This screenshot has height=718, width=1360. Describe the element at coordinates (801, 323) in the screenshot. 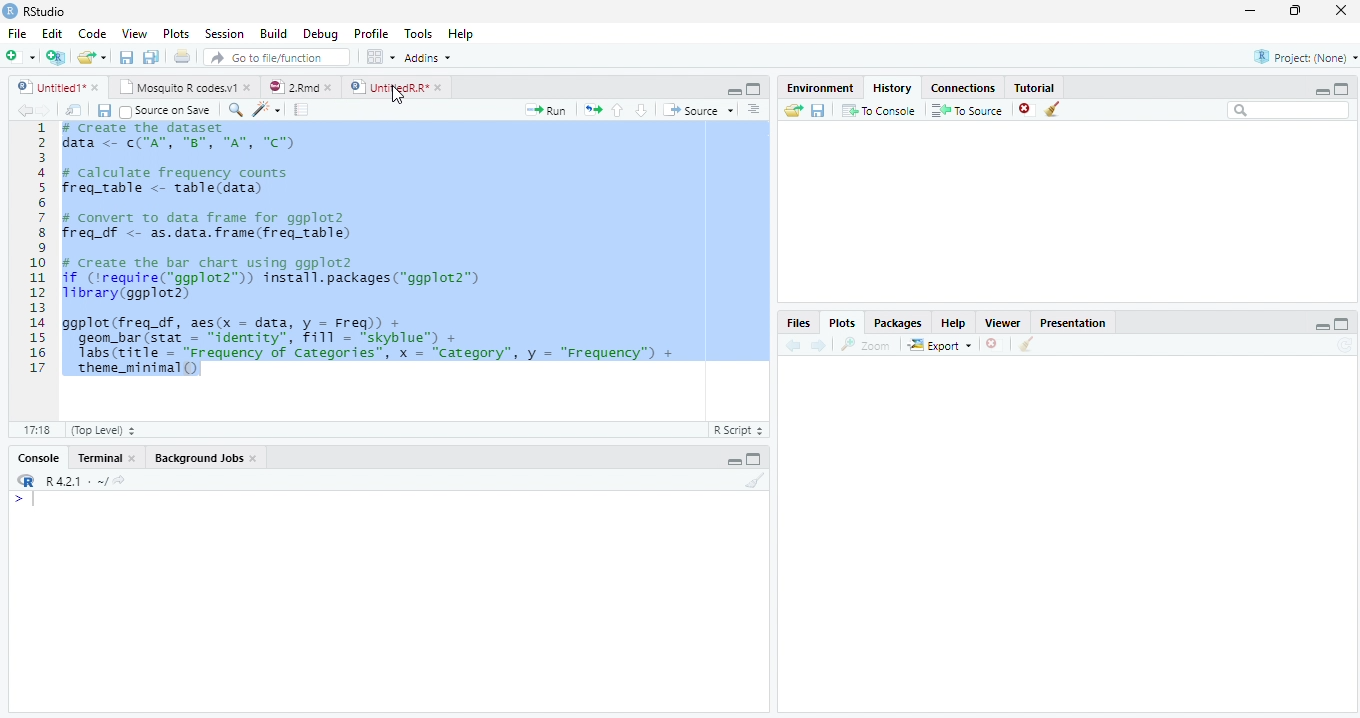

I see `Files` at that location.